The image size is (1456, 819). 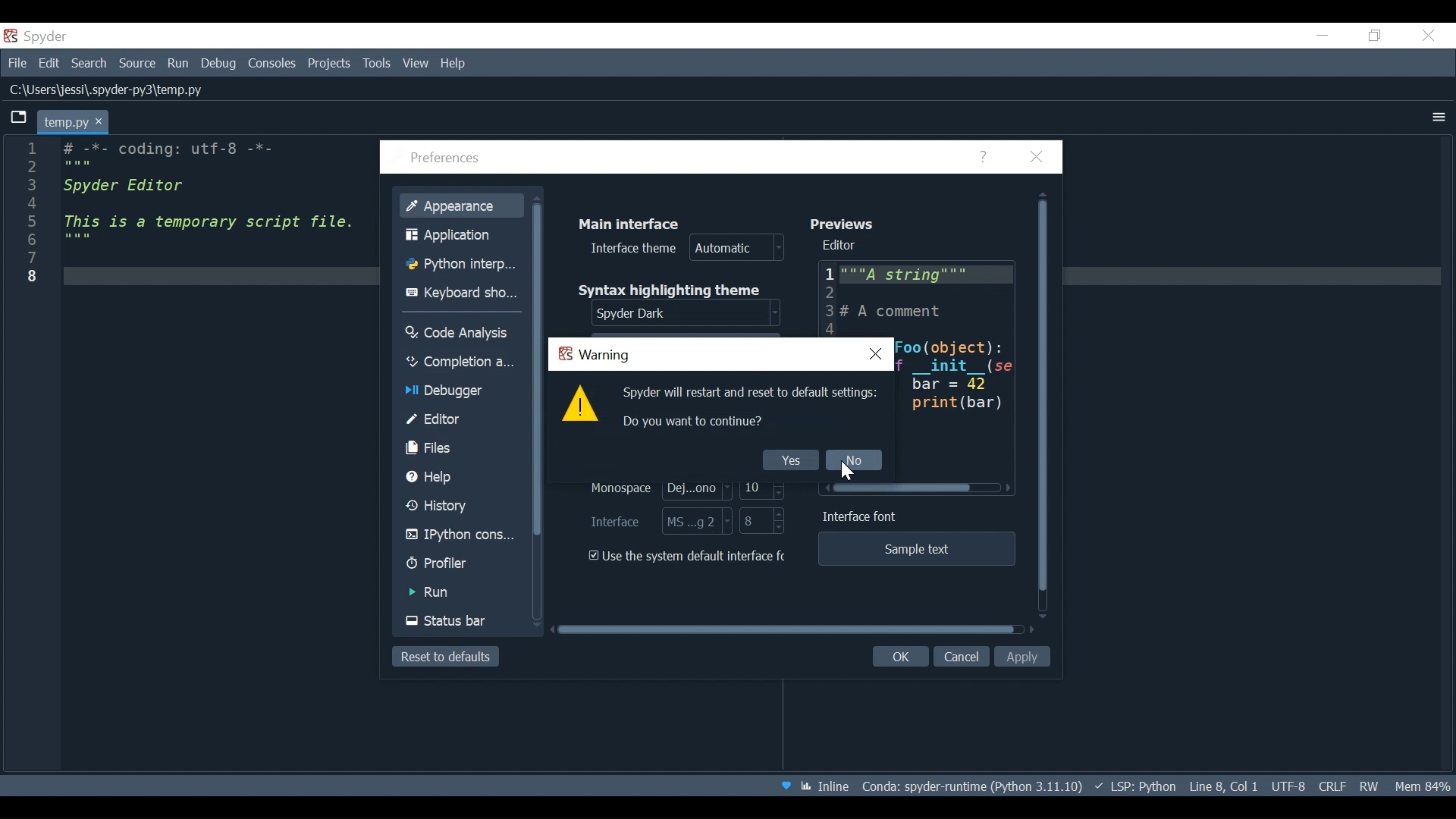 What do you see at coordinates (89, 65) in the screenshot?
I see `Search` at bounding box center [89, 65].